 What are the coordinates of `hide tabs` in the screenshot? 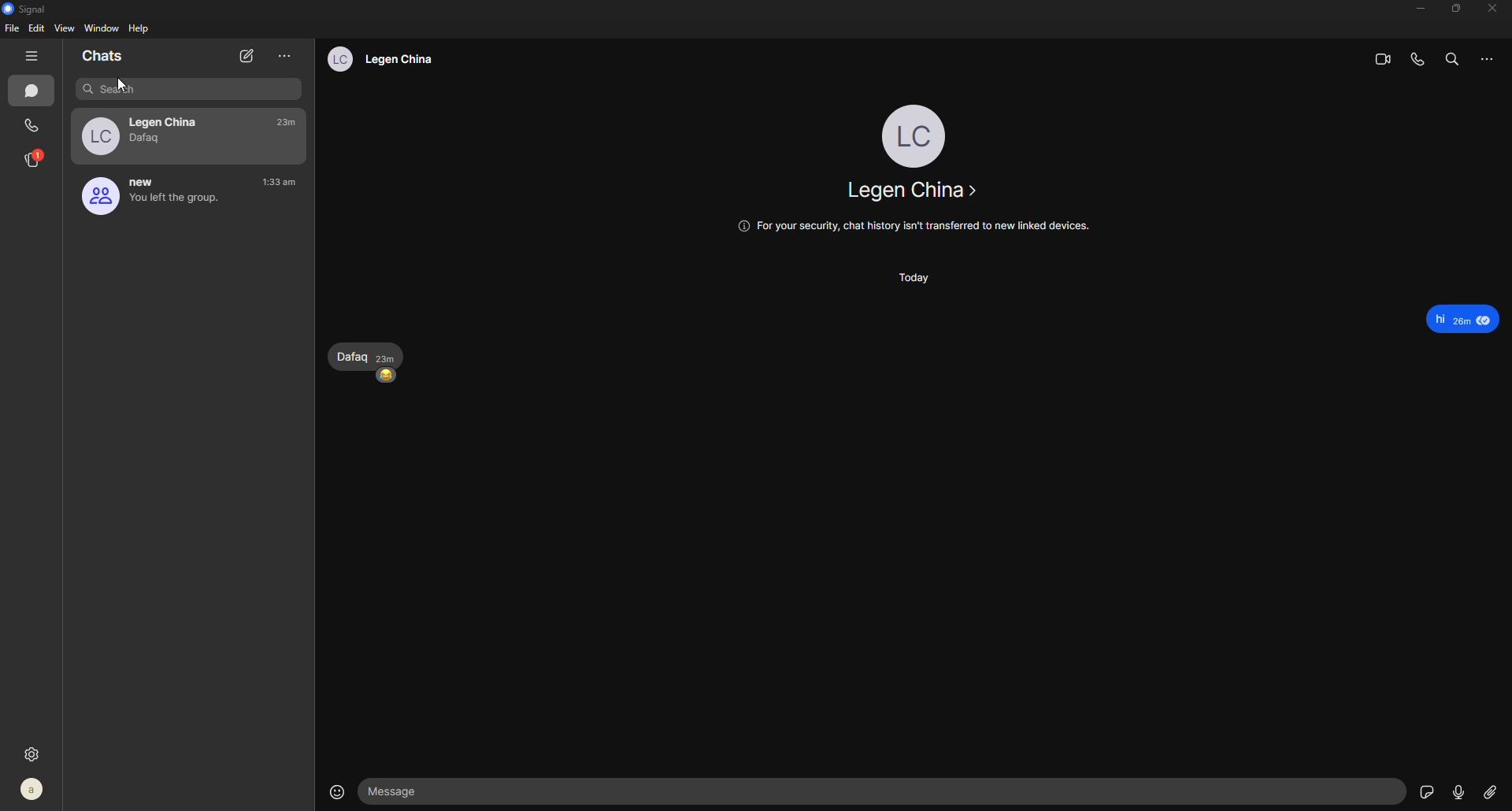 It's located at (30, 56).